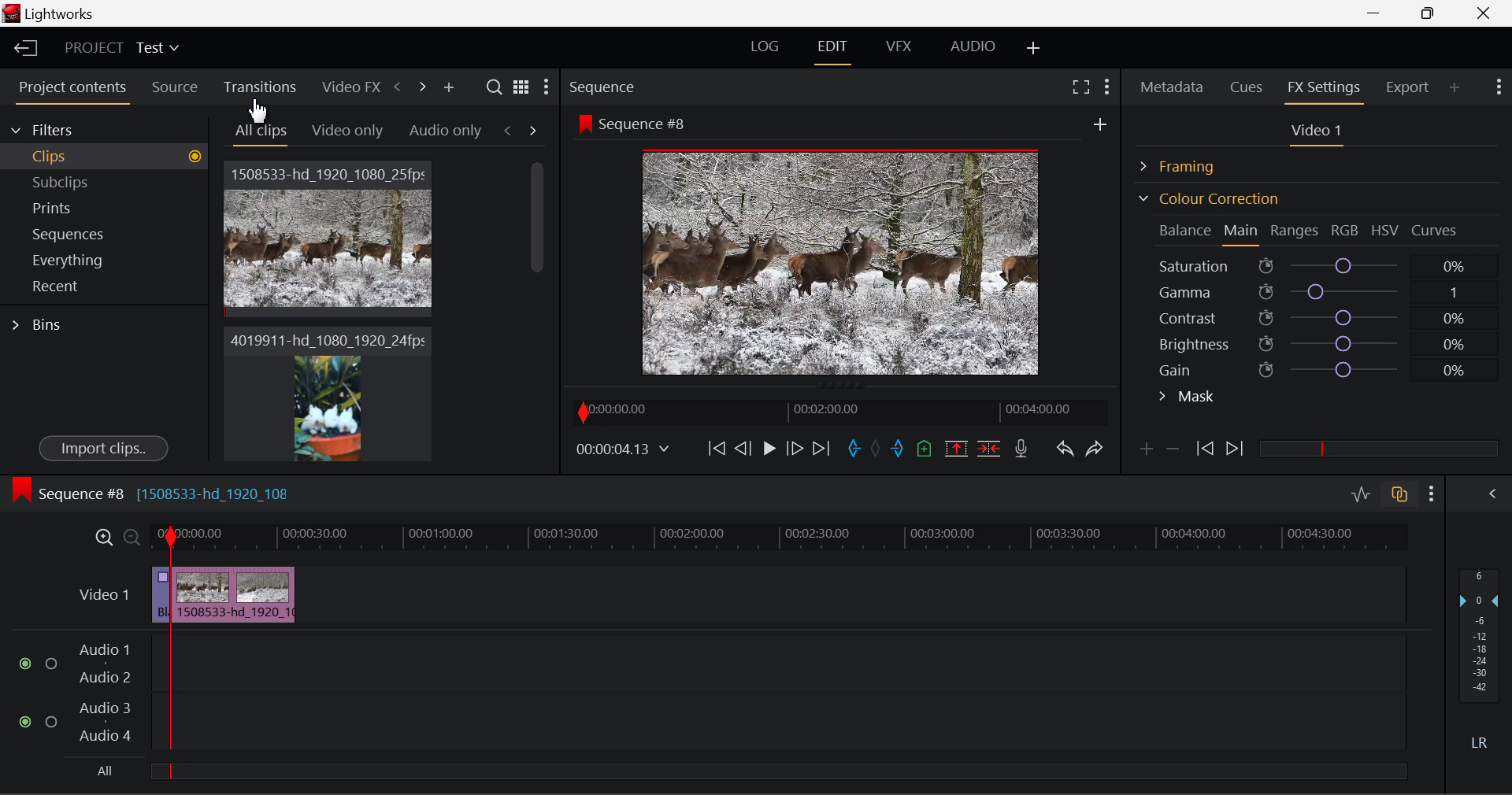 This screenshot has height=795, width=1512. Describe the element at coordinates (1242, 232) in the screenshot. I see `Main Tab Open` at that location.